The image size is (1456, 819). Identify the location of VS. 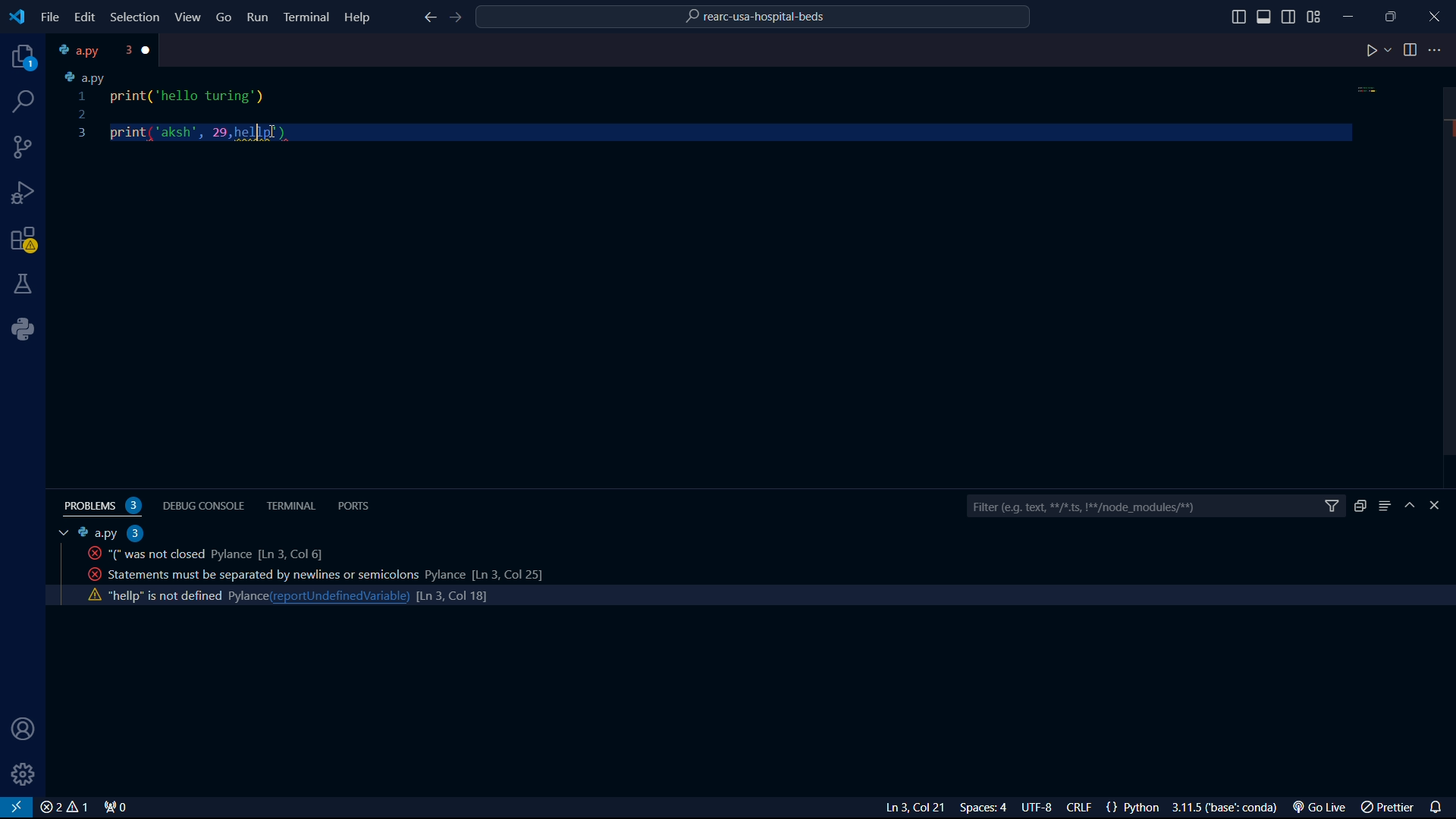
(17, 808).